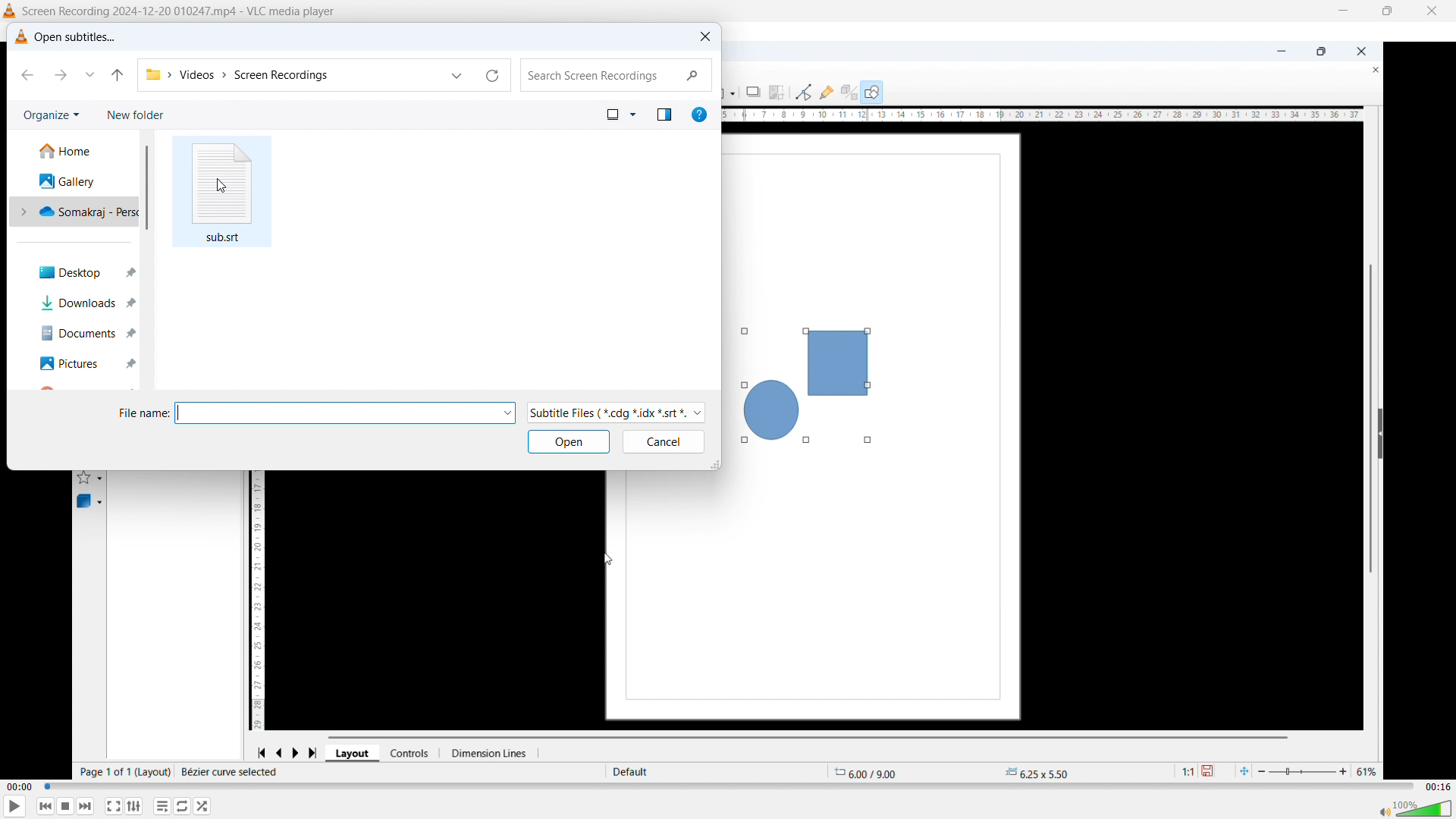 The image size is (1456, 819). I want to click on toggle extrusion, so click(849, 93).